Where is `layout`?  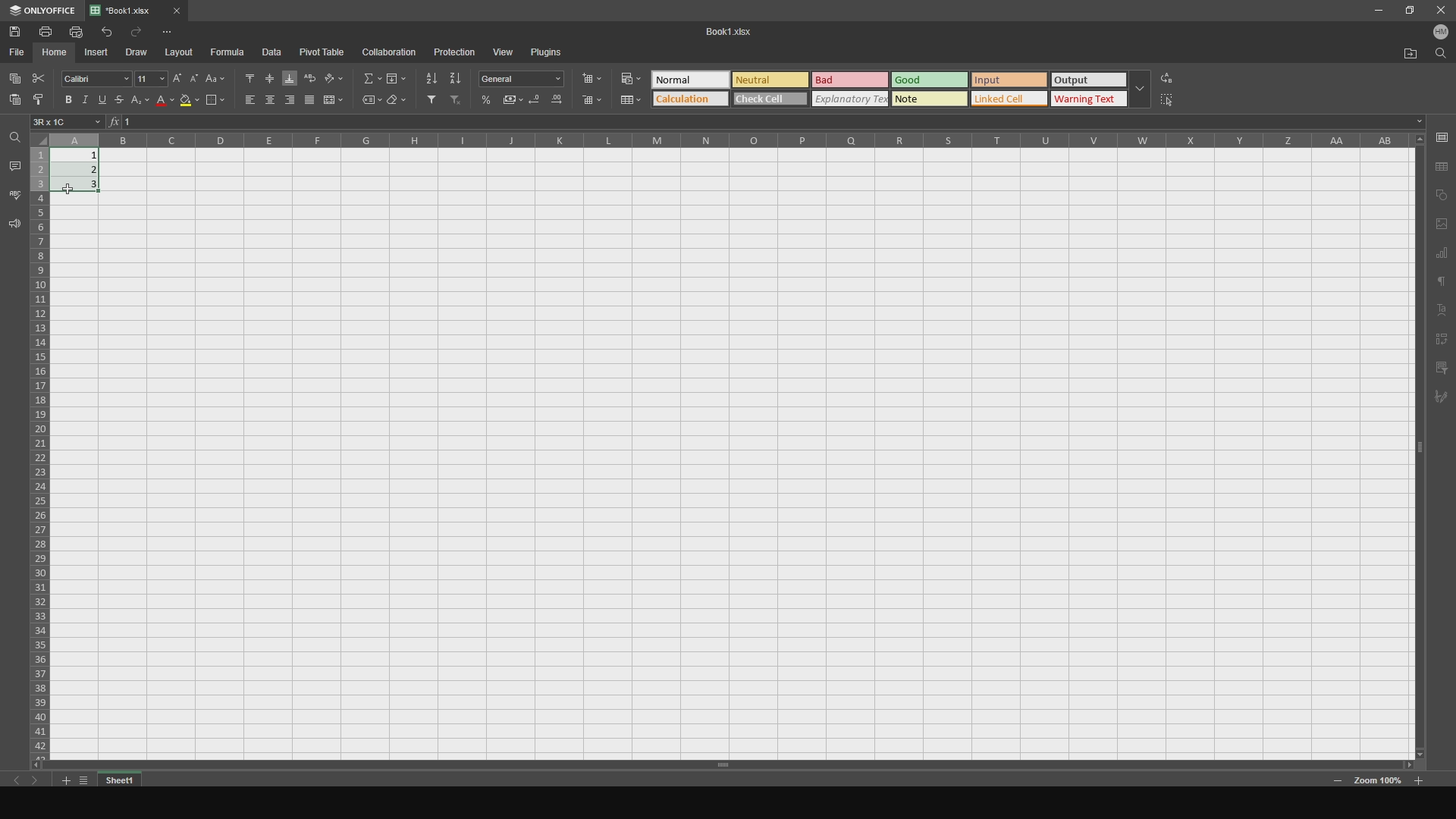 layout is located at coordinates (181, 52).